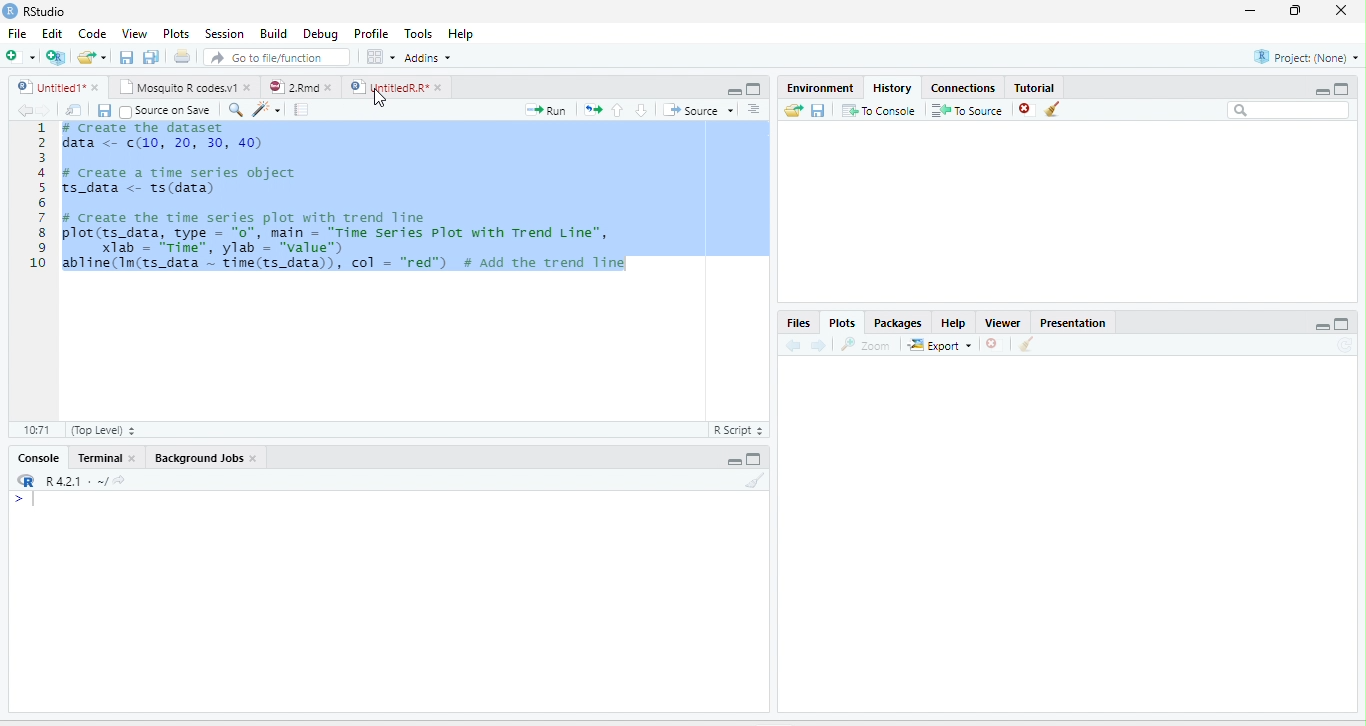  I want to click on Go forward to next source location, so click(44, 110).